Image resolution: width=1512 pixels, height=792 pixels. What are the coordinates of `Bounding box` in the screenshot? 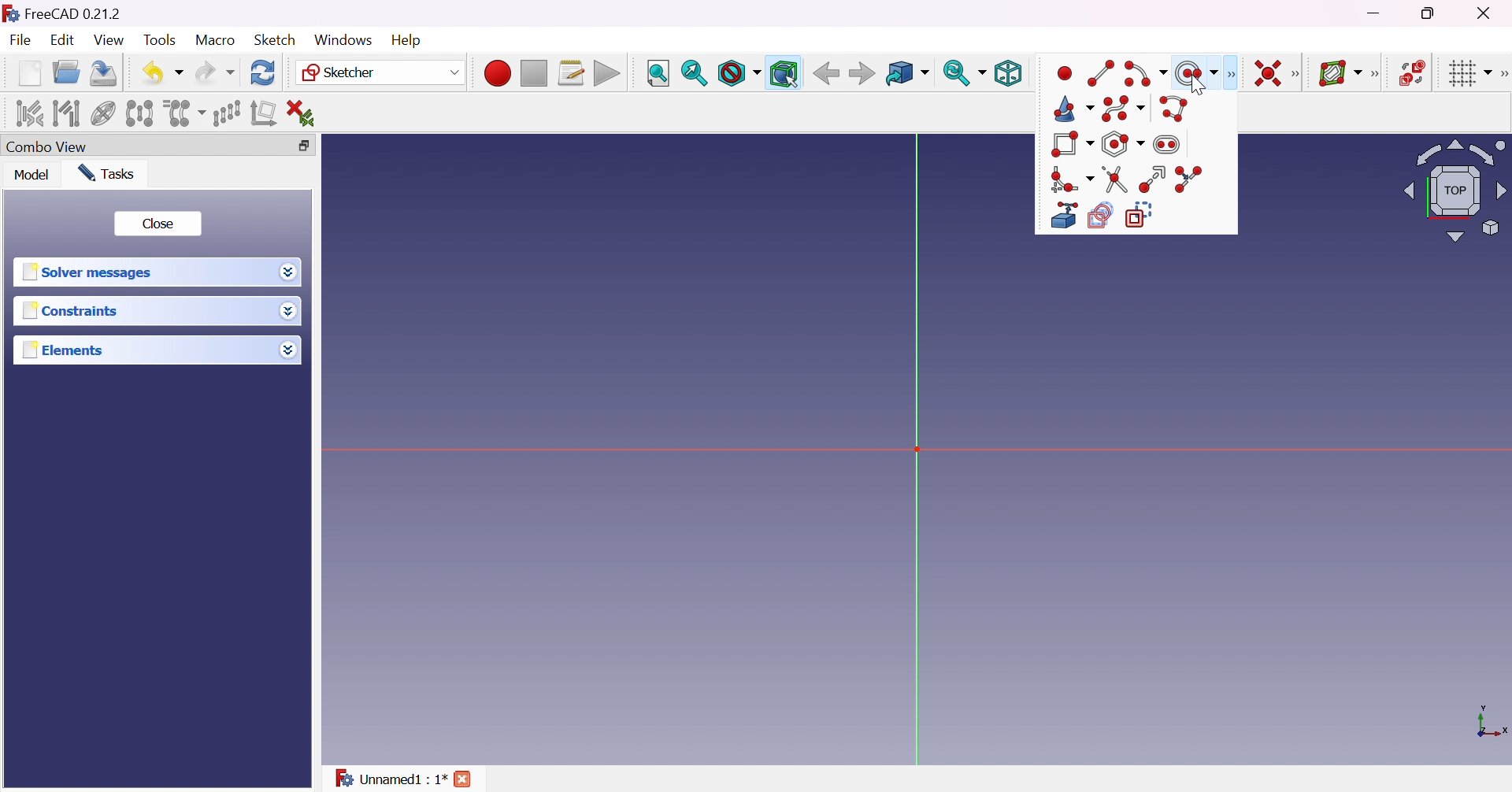 It's located at (785, 74).